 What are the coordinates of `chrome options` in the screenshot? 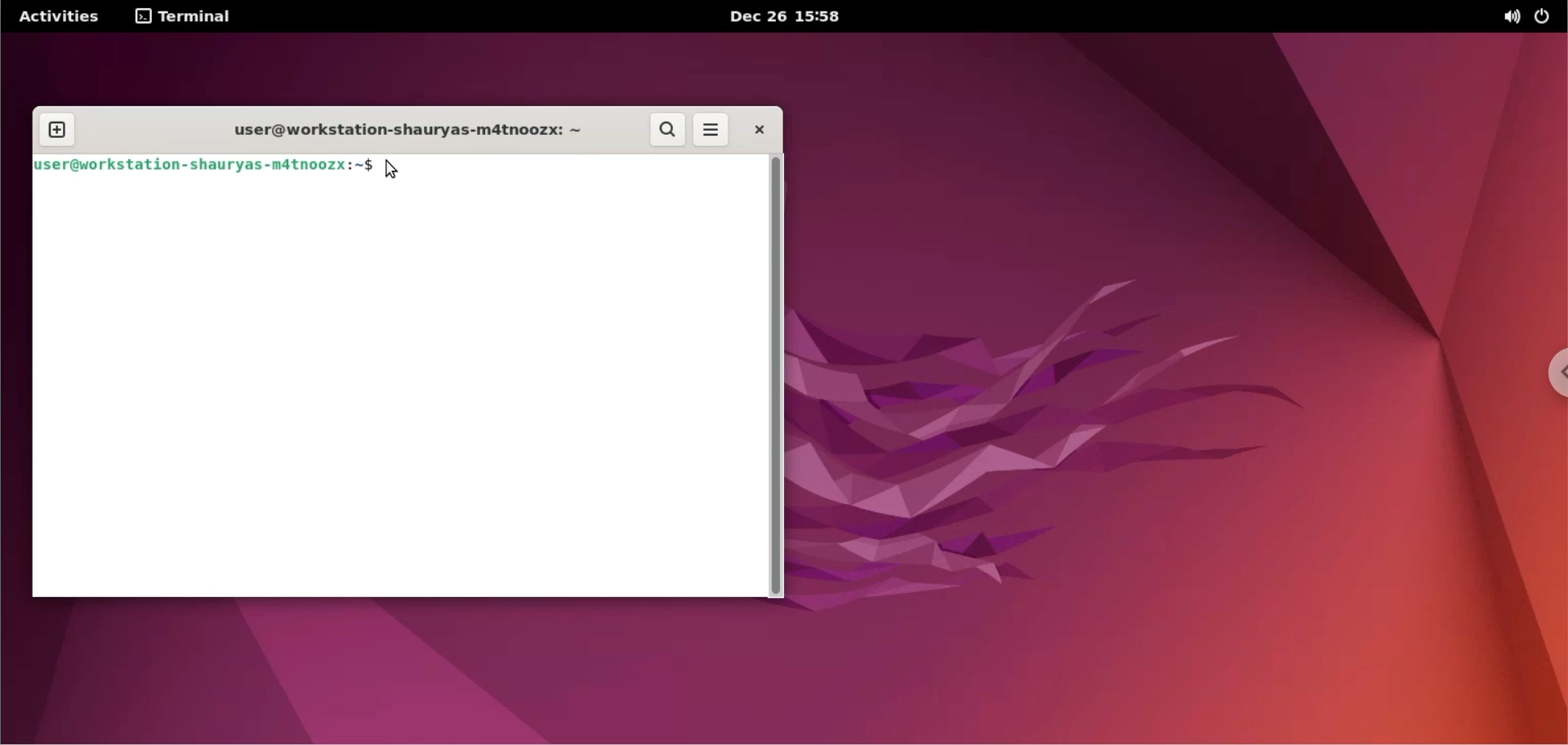 It's located at (1548, 377).